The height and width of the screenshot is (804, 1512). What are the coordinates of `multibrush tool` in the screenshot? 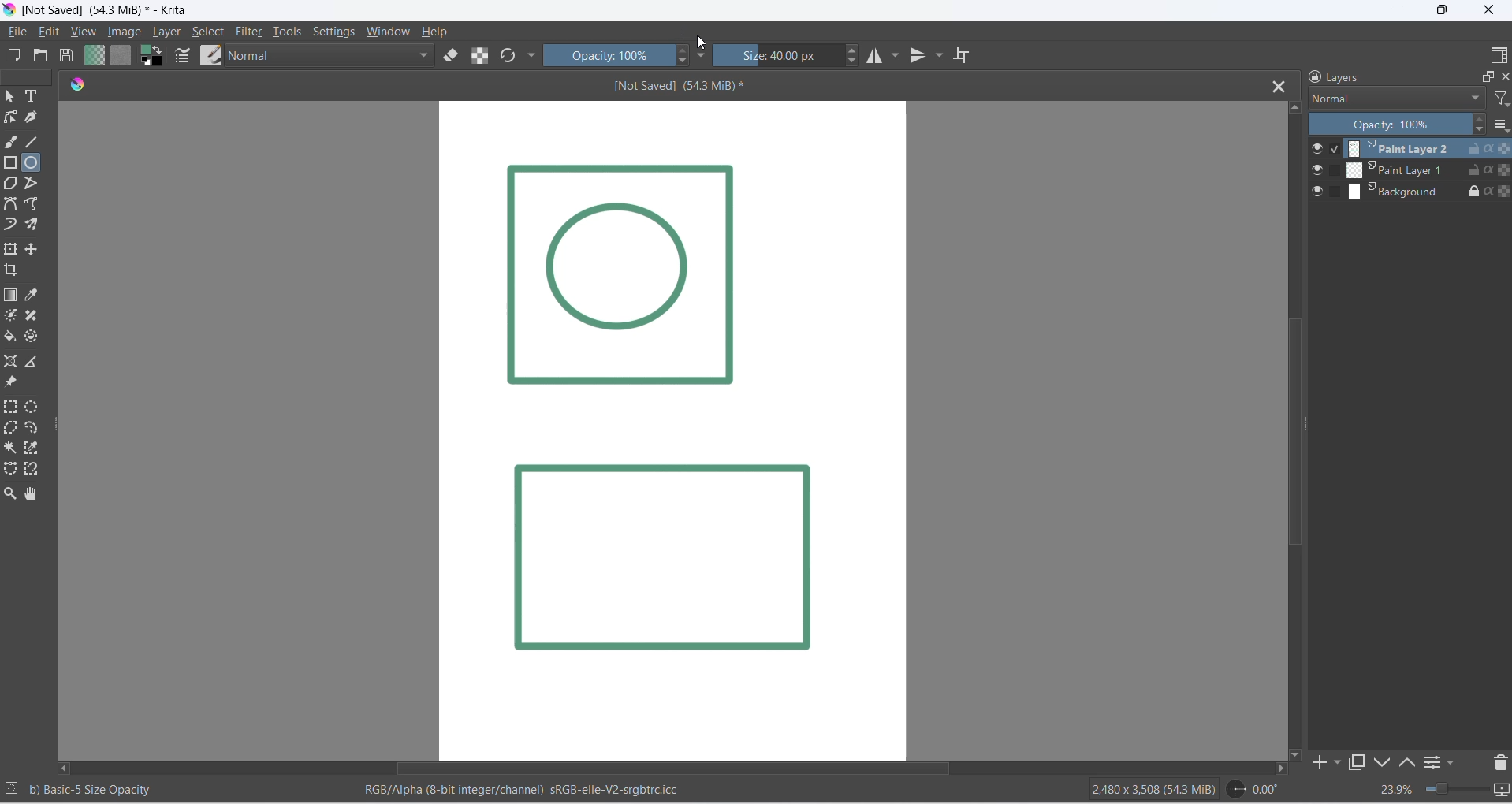 It's located at (35, 225).